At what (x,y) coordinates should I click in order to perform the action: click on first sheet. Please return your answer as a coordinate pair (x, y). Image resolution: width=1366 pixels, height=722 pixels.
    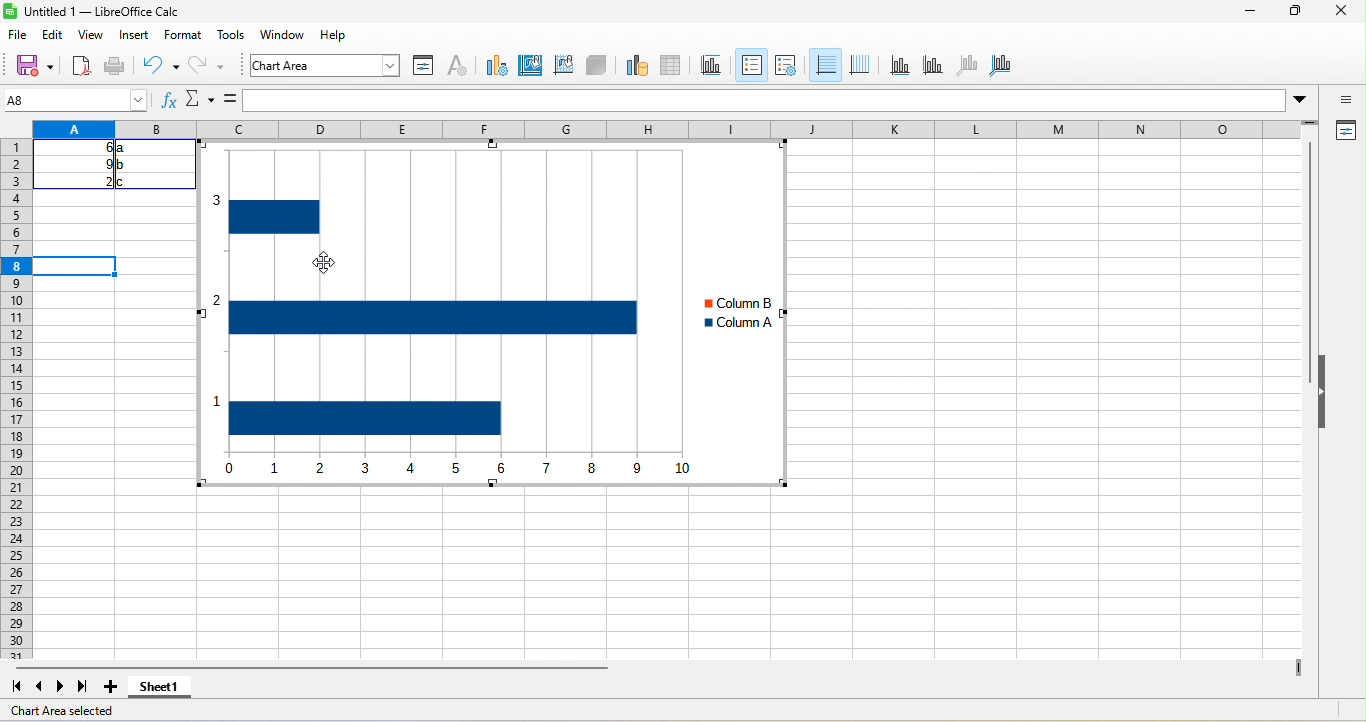
    Looking at the image, I should click on (16, 688).